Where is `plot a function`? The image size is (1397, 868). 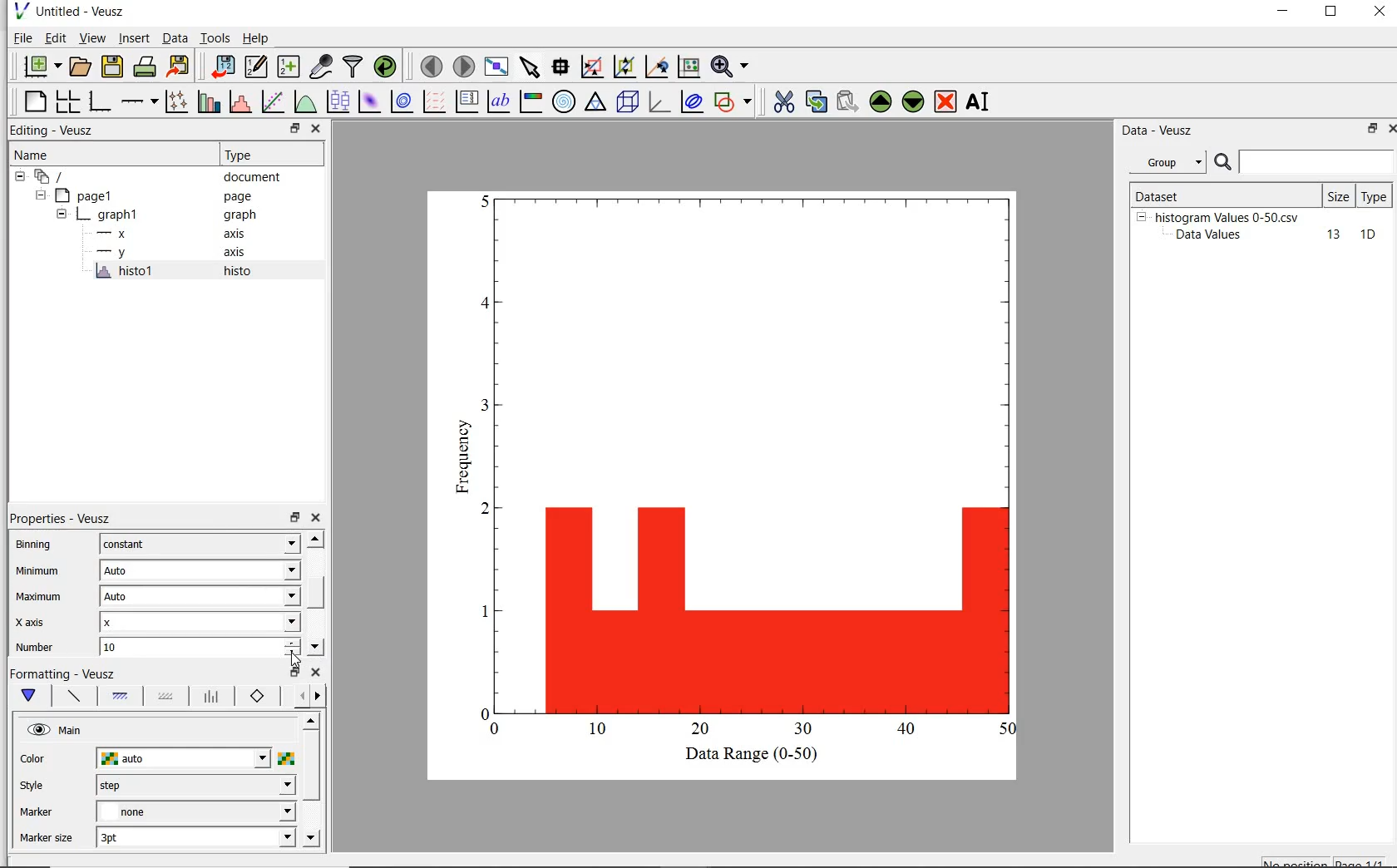
plot a function is located at coordinates (304, 101).